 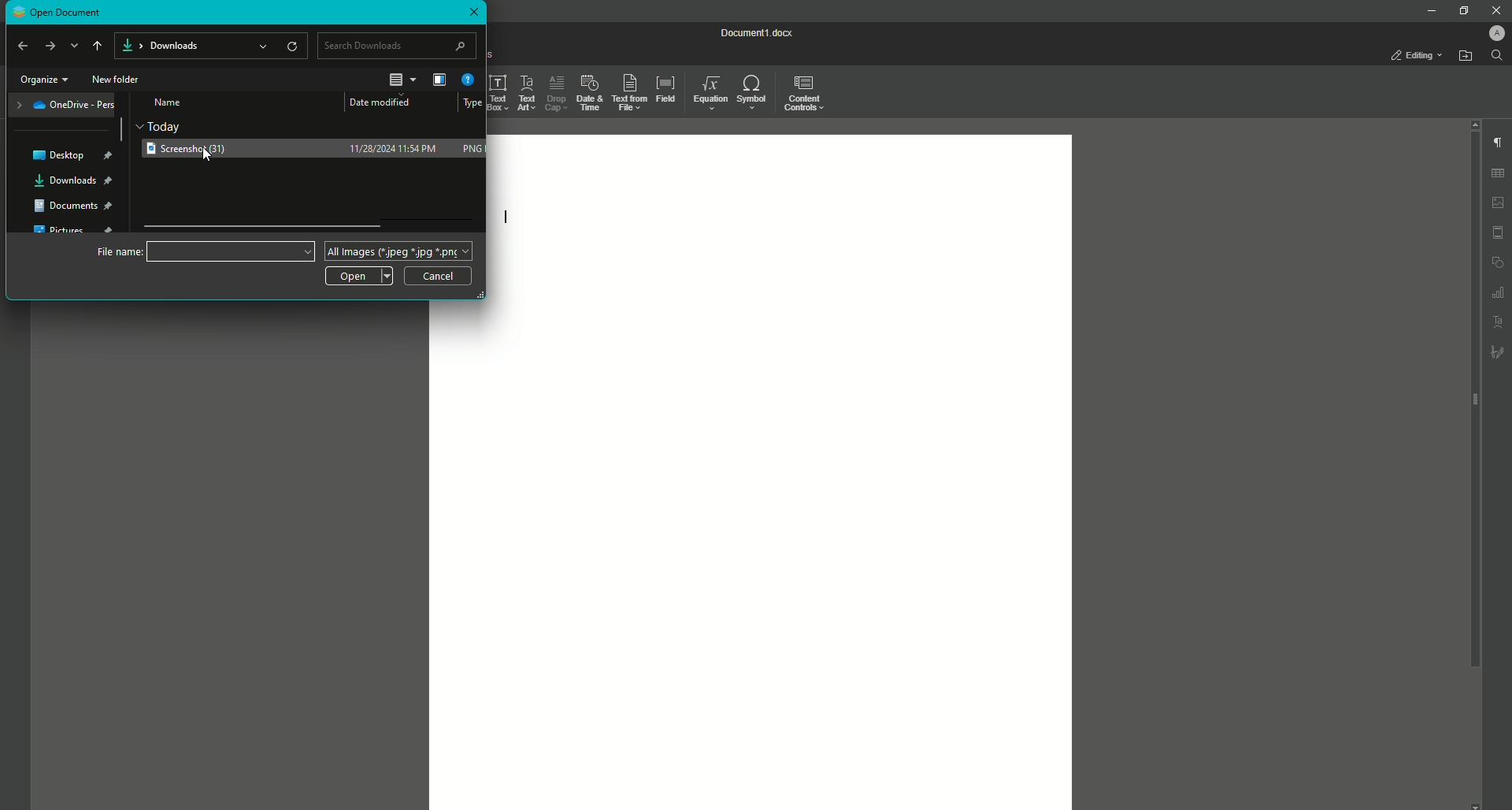 What do you see at coordinates (472, 148) in the screenshot?
I see `PNG` at bounding box center [472, 148].